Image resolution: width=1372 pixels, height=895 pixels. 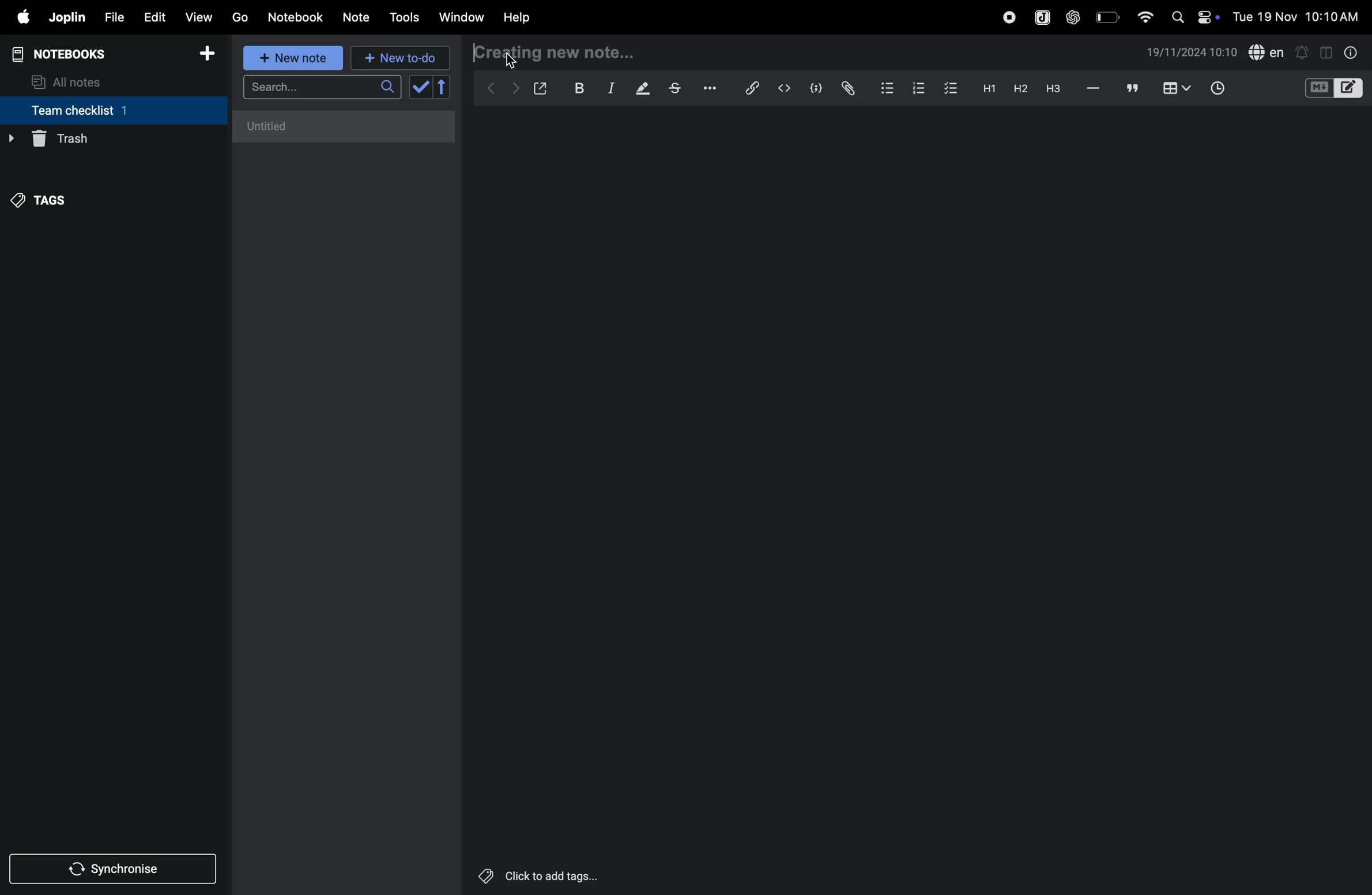 What do you see at coordinates (94, 110) in the screenshot?
I see `team checklist` at bounding box center [94, 110].